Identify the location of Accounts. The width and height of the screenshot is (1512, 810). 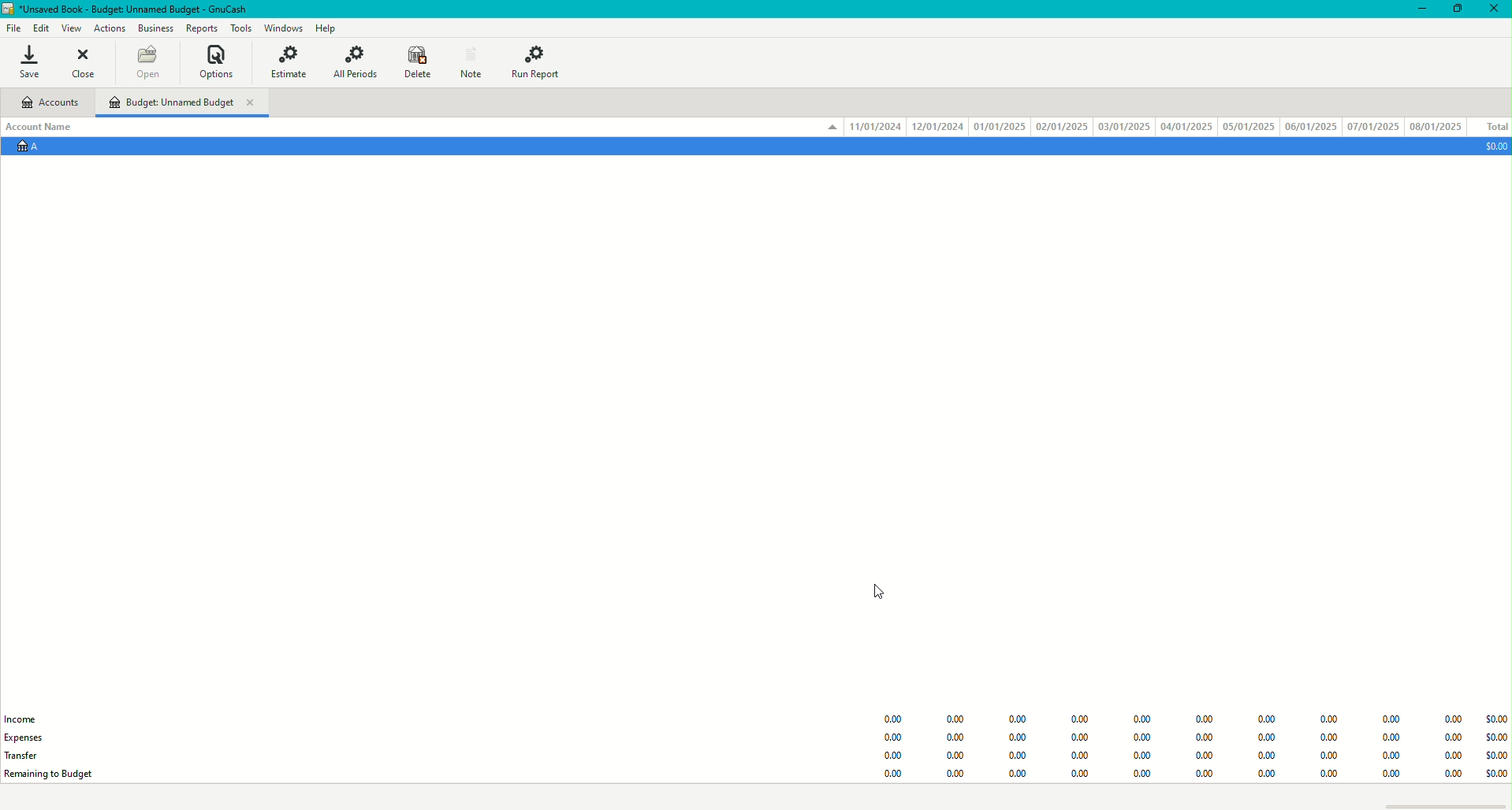
(51, 104).